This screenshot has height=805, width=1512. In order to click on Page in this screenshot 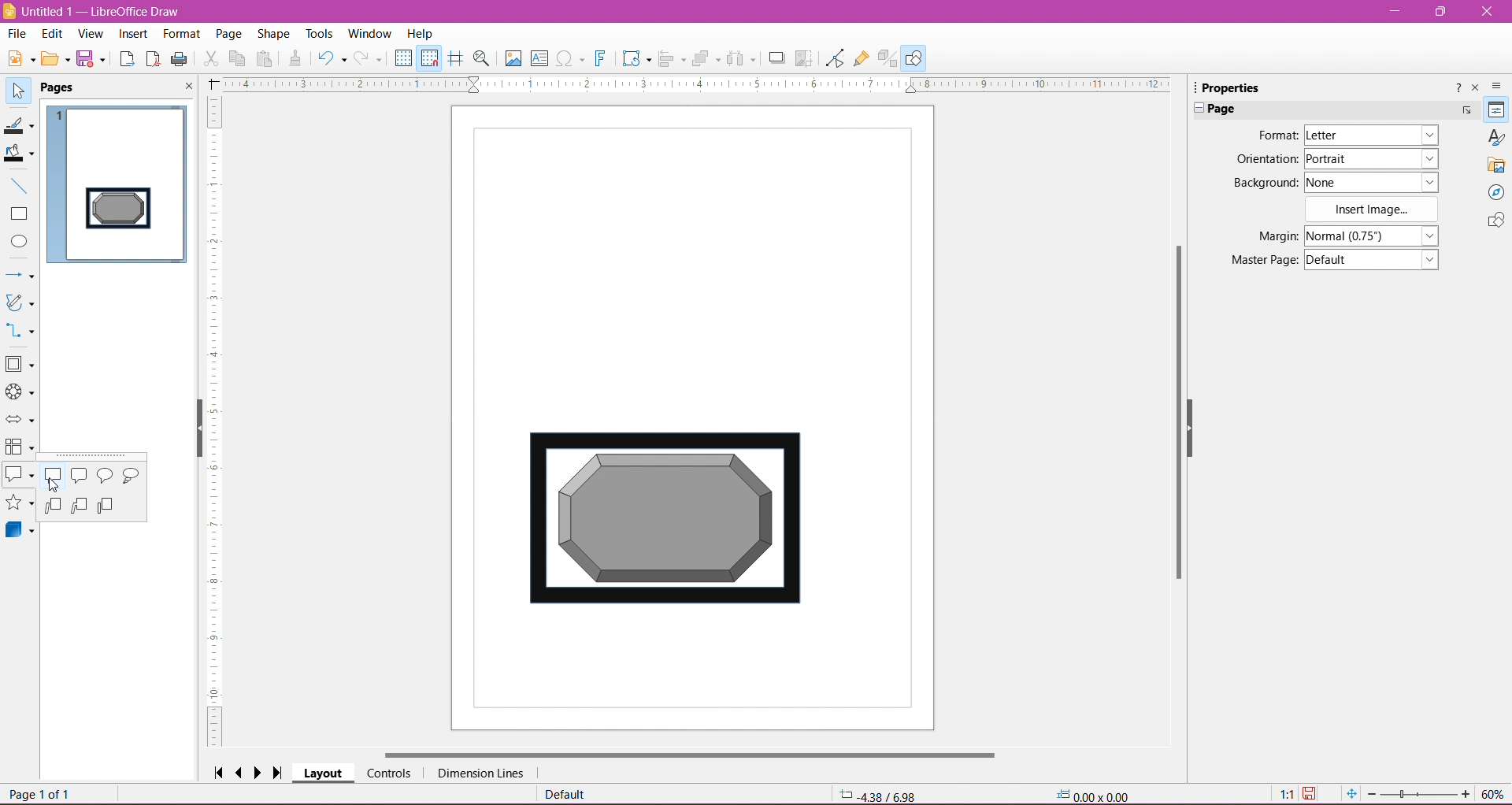, I will do `click(1228, 109)`.